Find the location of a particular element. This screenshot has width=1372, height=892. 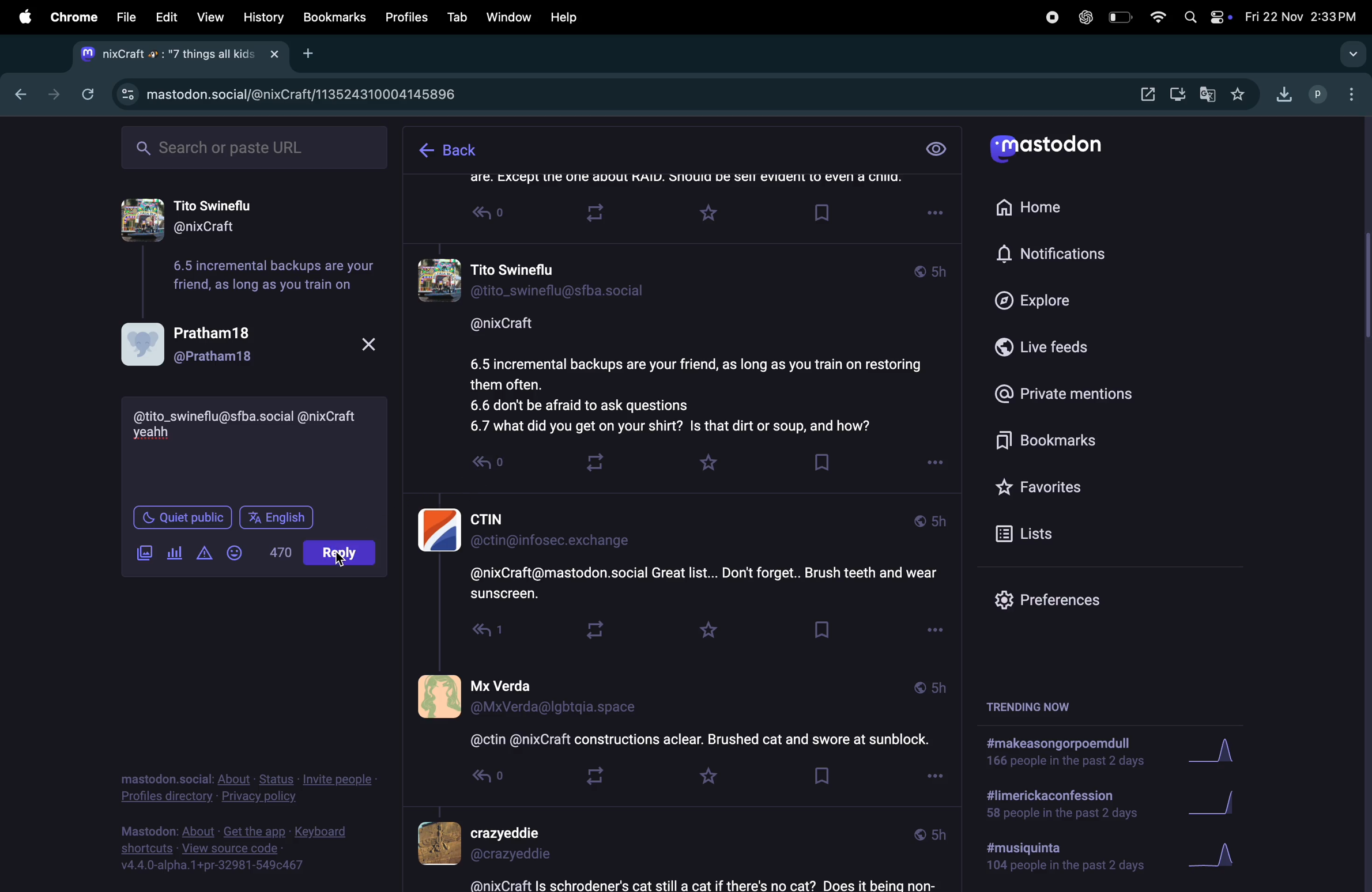

files is located at coordinates (125, 14).